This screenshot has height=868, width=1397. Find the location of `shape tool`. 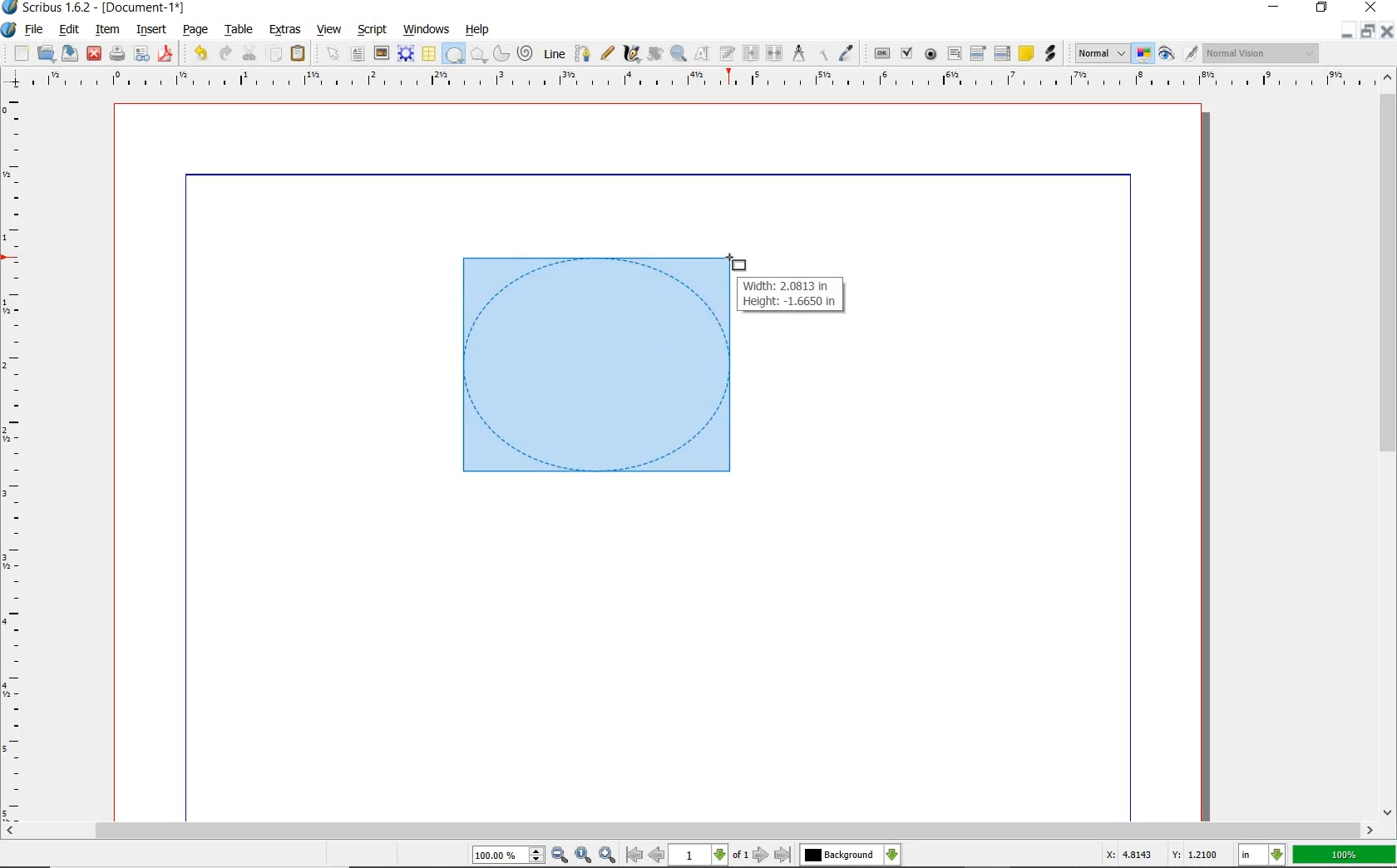

shape tool is located at coordinates (737, 261).